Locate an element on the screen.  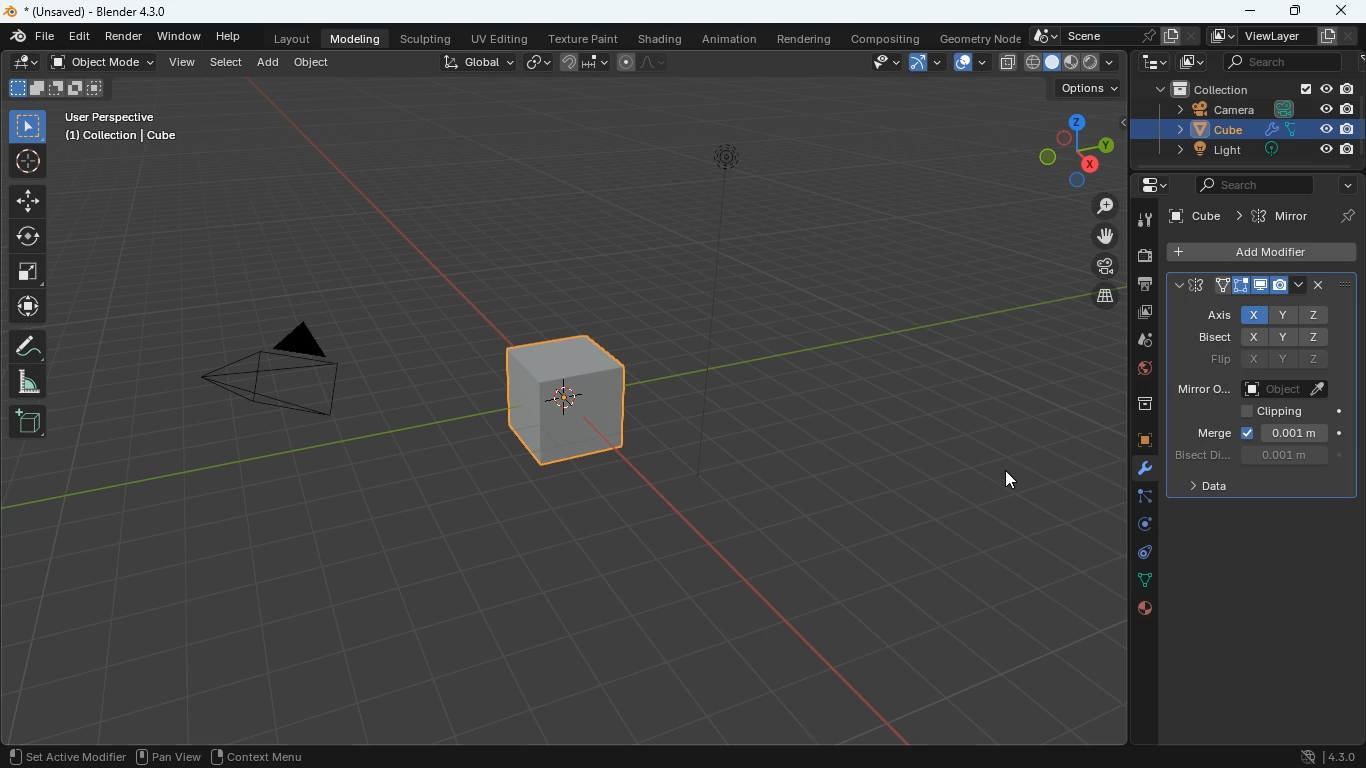
edge is located at coordinates (1137, 499).